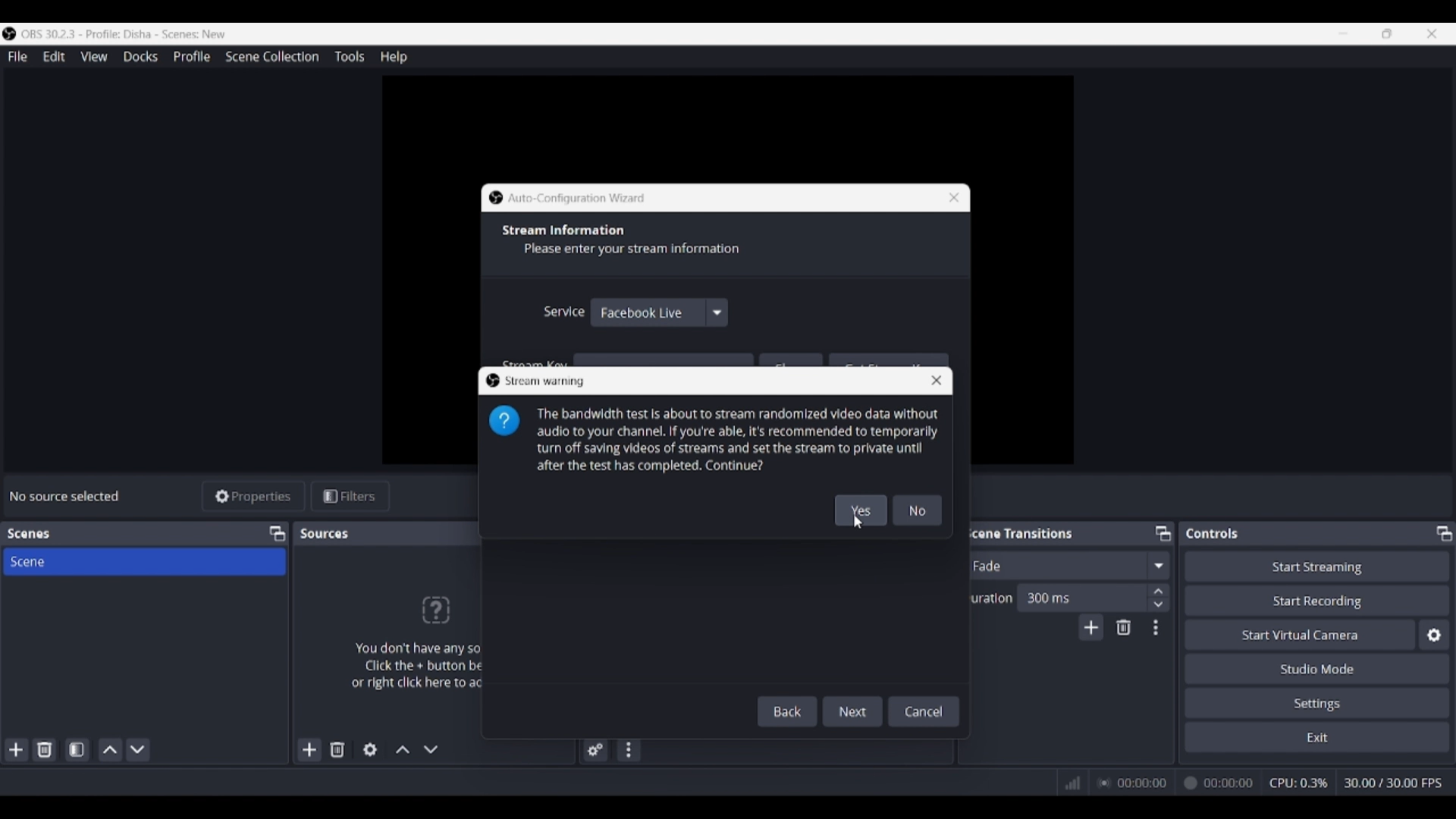 This screenshot has height=819, width=1456. I want to click on Scene collection menu, so click(271, 56).